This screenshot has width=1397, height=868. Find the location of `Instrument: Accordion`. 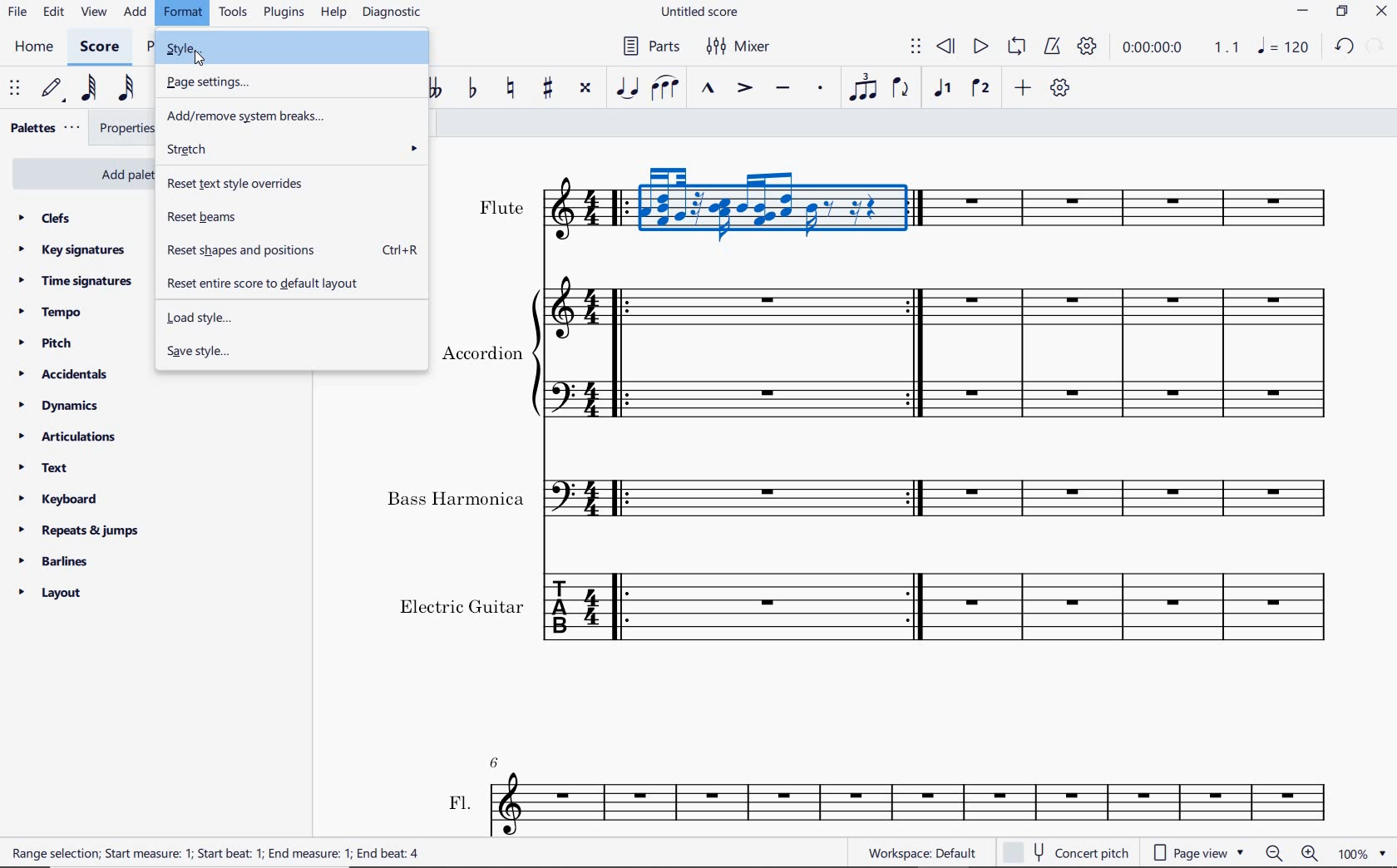

Instrument: Accordion is located at coordinates (895, 353).